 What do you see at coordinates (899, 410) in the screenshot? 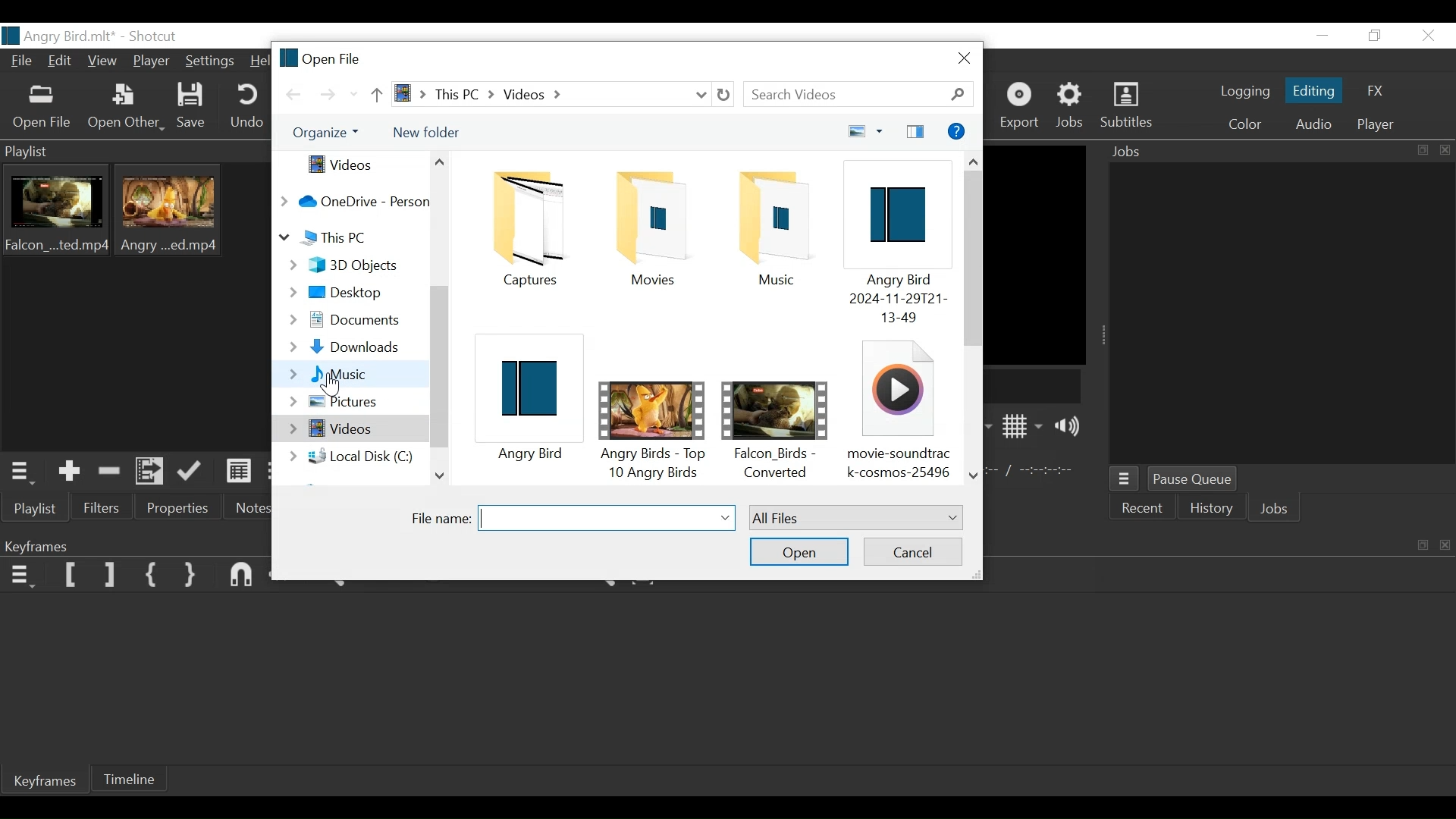
I see `Audio File` at bounding box center [899, 410].